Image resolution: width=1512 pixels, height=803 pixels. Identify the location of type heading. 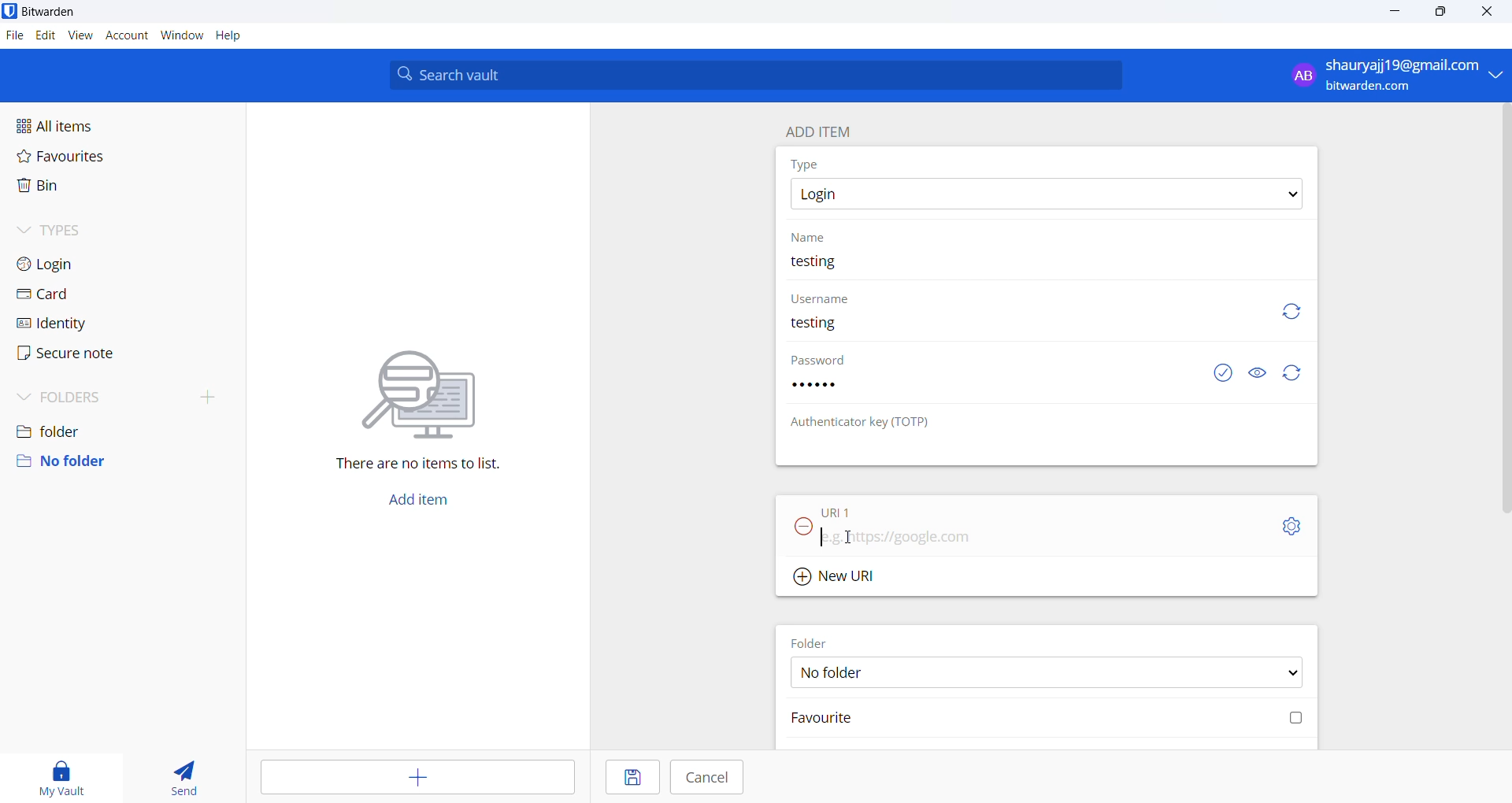
(806, 164).